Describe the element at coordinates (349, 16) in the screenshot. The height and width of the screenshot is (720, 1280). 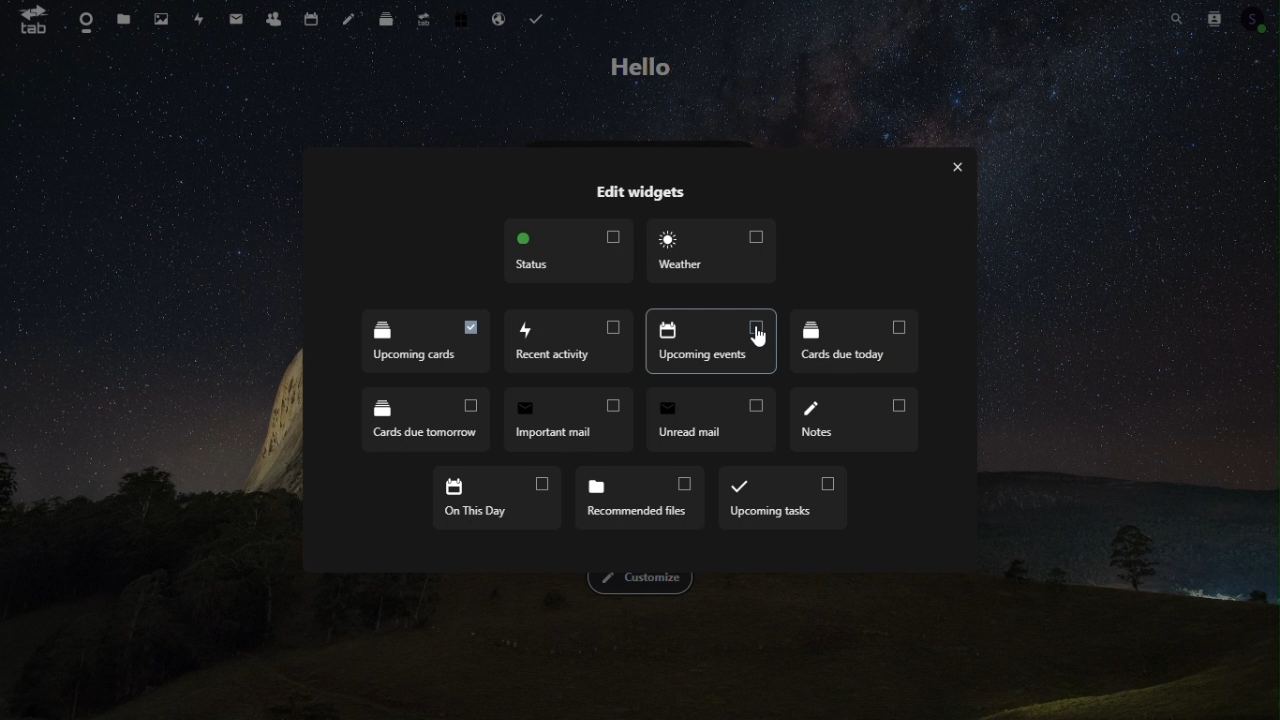
I see `Notes` at that location.